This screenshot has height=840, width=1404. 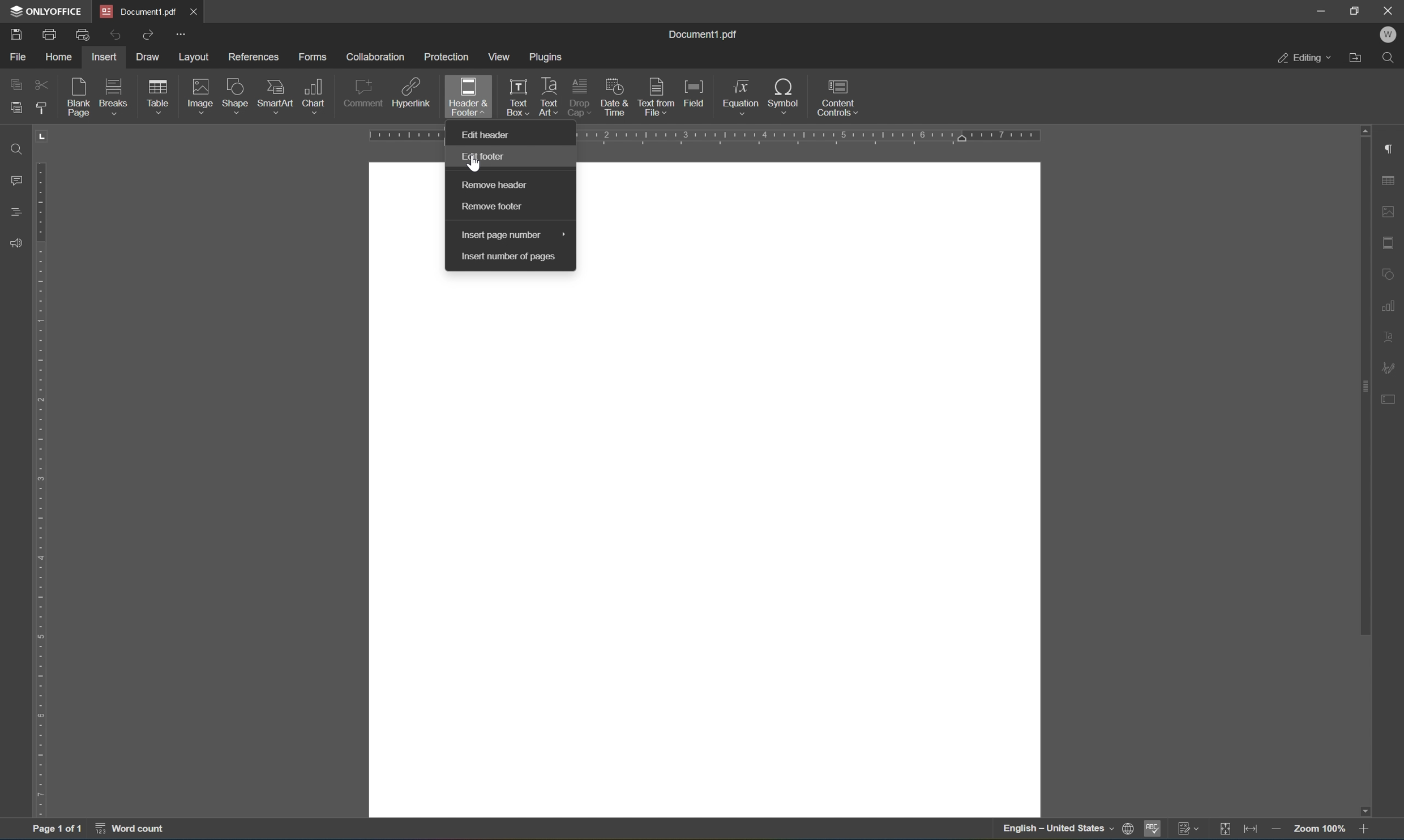 What do you see at coordinates (1391, 337) in the screenshot?
I see `text art settings` at bounding box center [1391, 337].